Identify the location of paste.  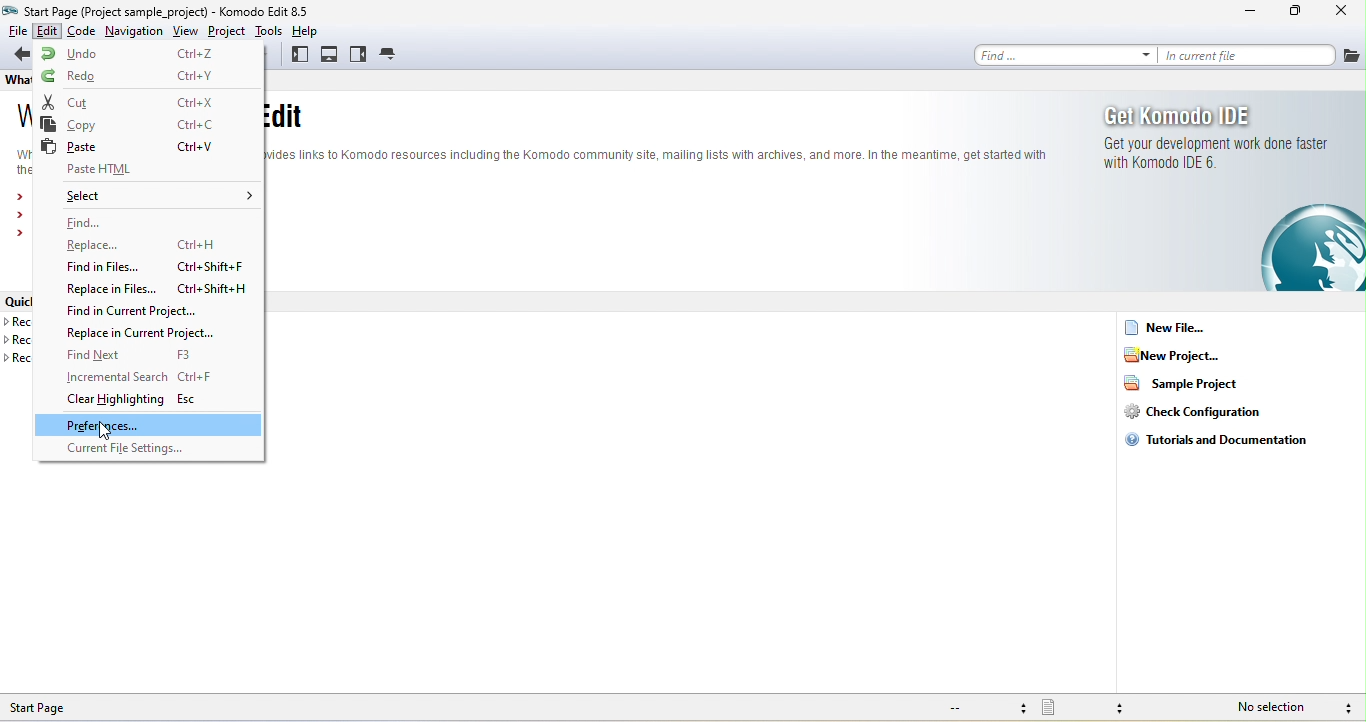
(138, 147).